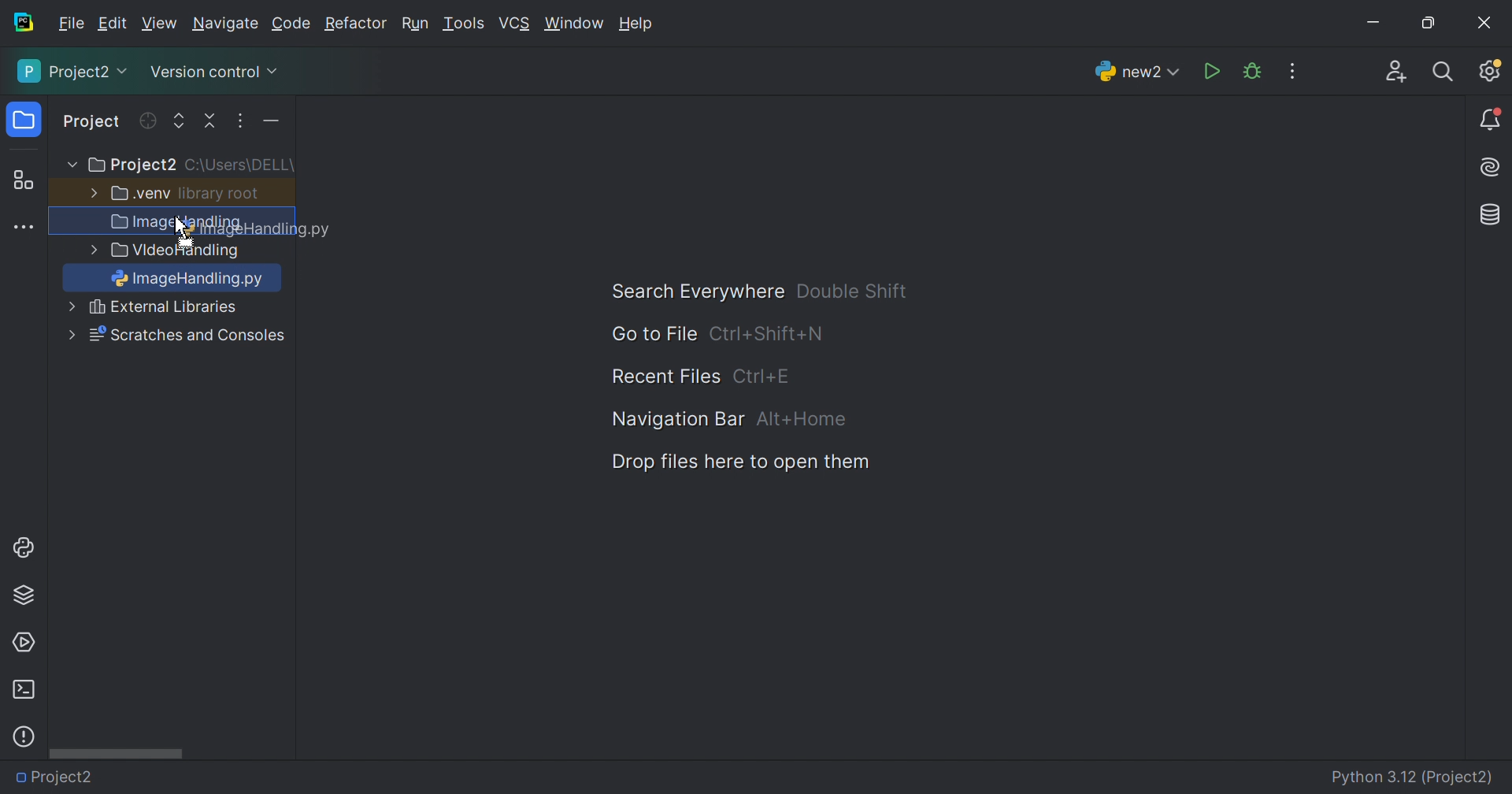 This screenshot has height=794, width=1512. Describe the element at coordinates (192, 280) in the screenshot. I see `ImageHandling` at that location.